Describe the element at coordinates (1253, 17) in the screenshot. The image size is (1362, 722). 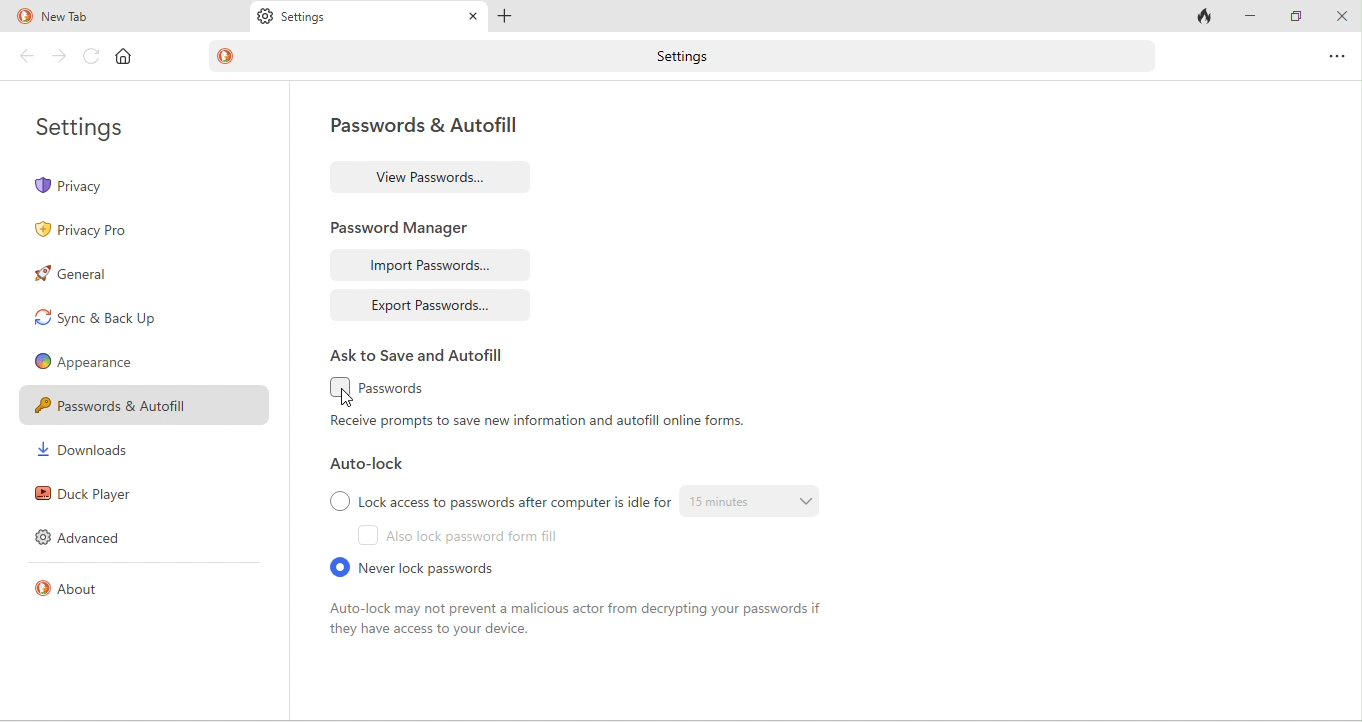
I see `minimize` at that location.